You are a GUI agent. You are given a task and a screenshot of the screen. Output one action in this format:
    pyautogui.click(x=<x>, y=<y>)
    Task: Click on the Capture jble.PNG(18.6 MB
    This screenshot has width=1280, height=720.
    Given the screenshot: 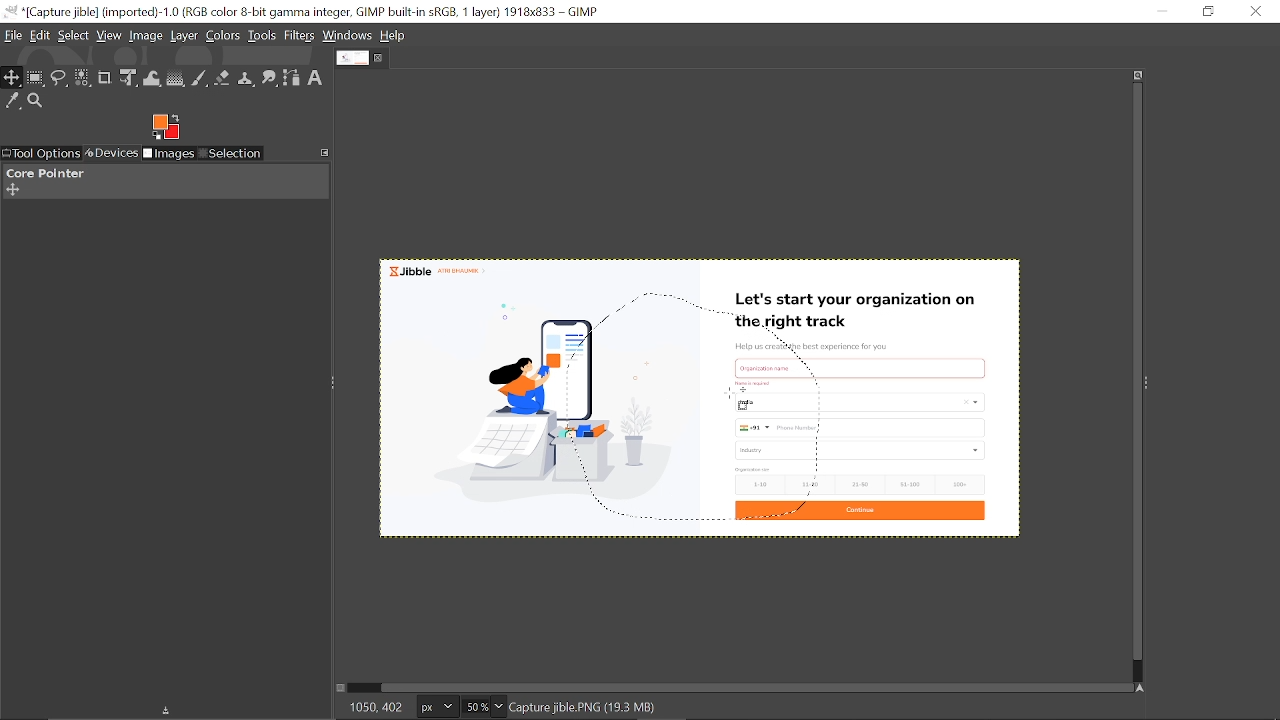 What is the action you would take?
    pyautogui.click(x=585, y=706)
    